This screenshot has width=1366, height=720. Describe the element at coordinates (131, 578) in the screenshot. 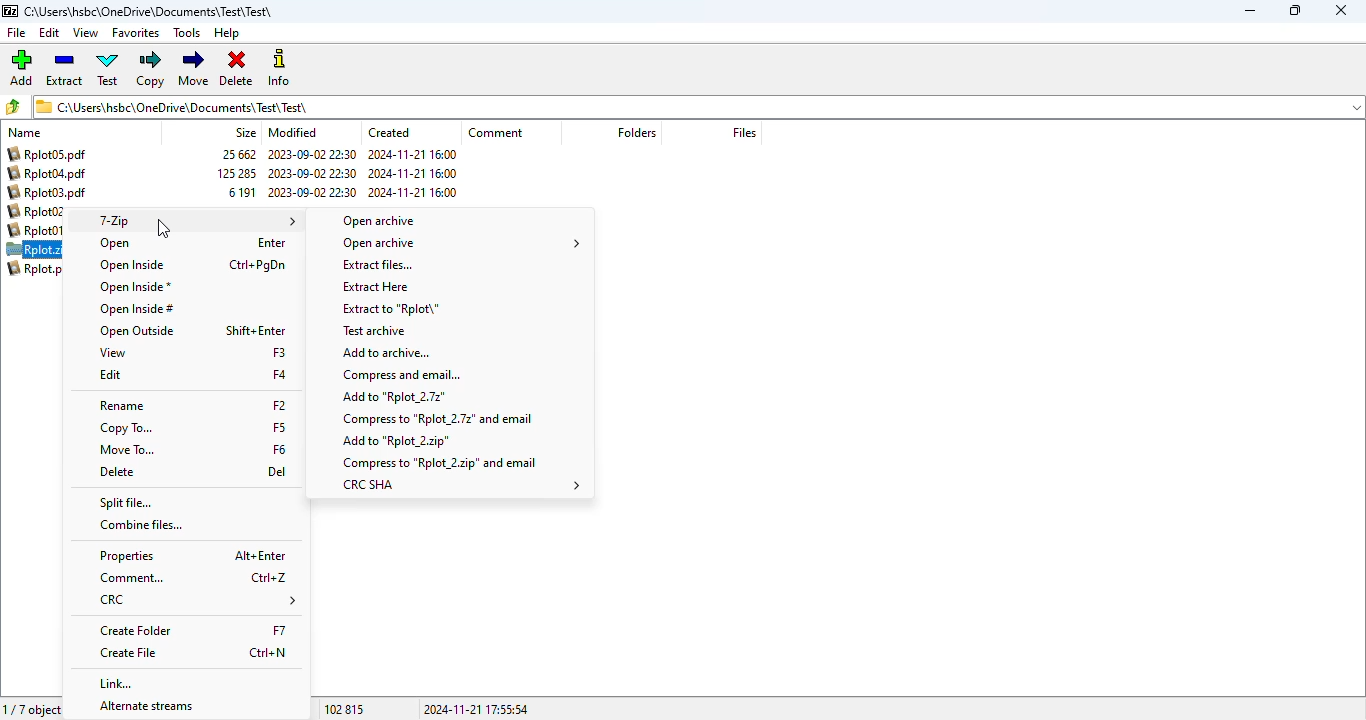

I see `comment` at that location.